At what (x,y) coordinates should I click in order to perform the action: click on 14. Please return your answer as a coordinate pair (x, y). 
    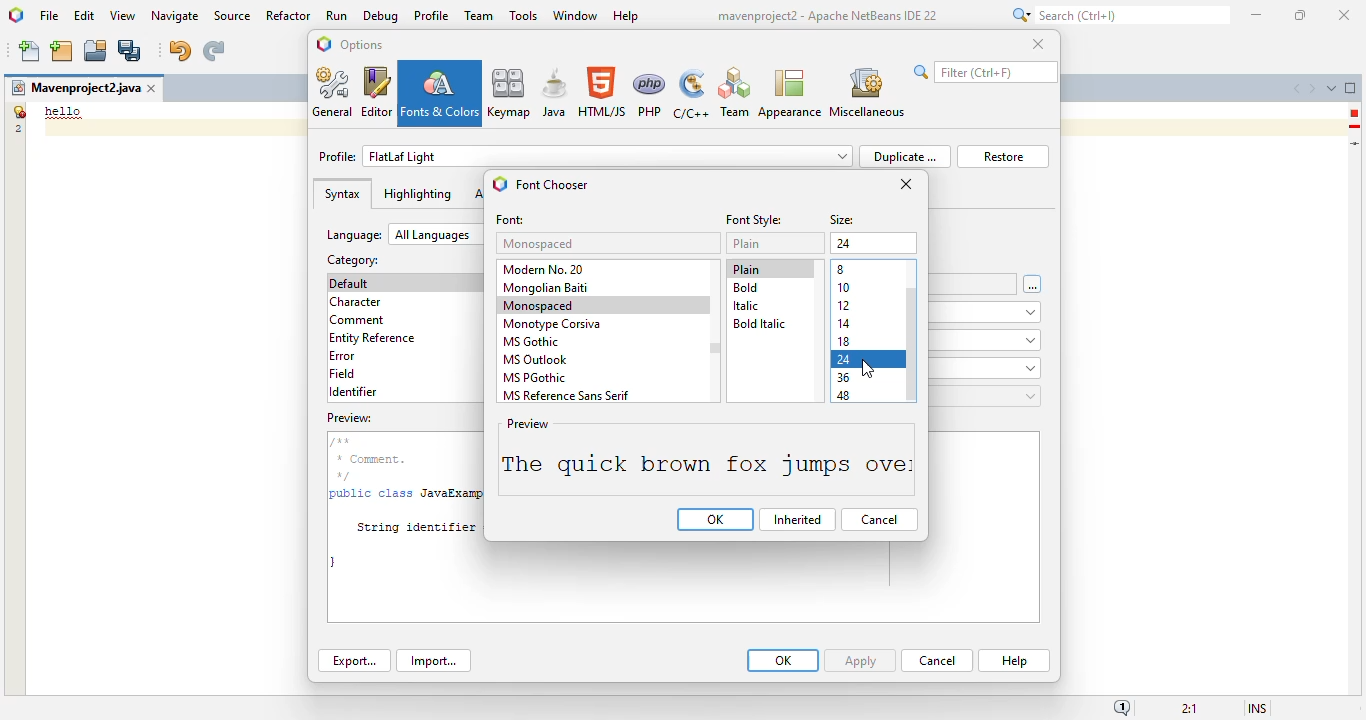
    Looking at the image, I should click on (844, 324).